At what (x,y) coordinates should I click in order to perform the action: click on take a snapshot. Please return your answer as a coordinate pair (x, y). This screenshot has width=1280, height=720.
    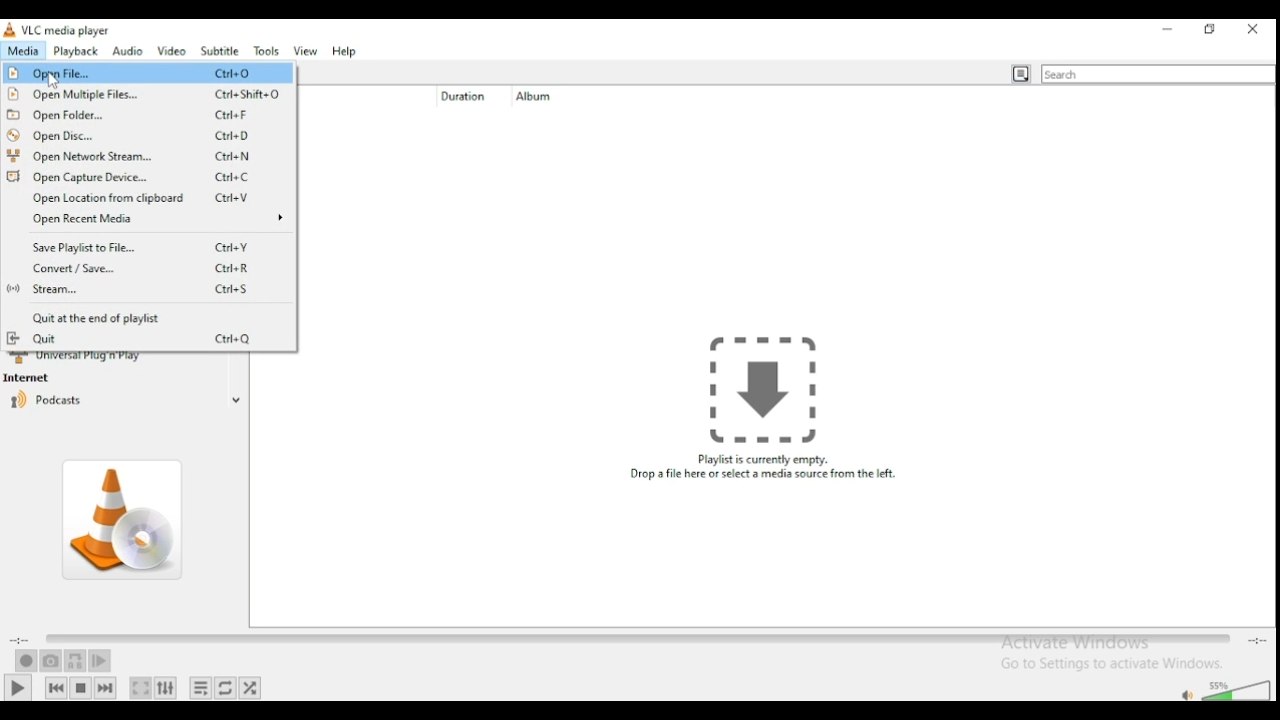
    Looking at the image, I should click on (50, 661).